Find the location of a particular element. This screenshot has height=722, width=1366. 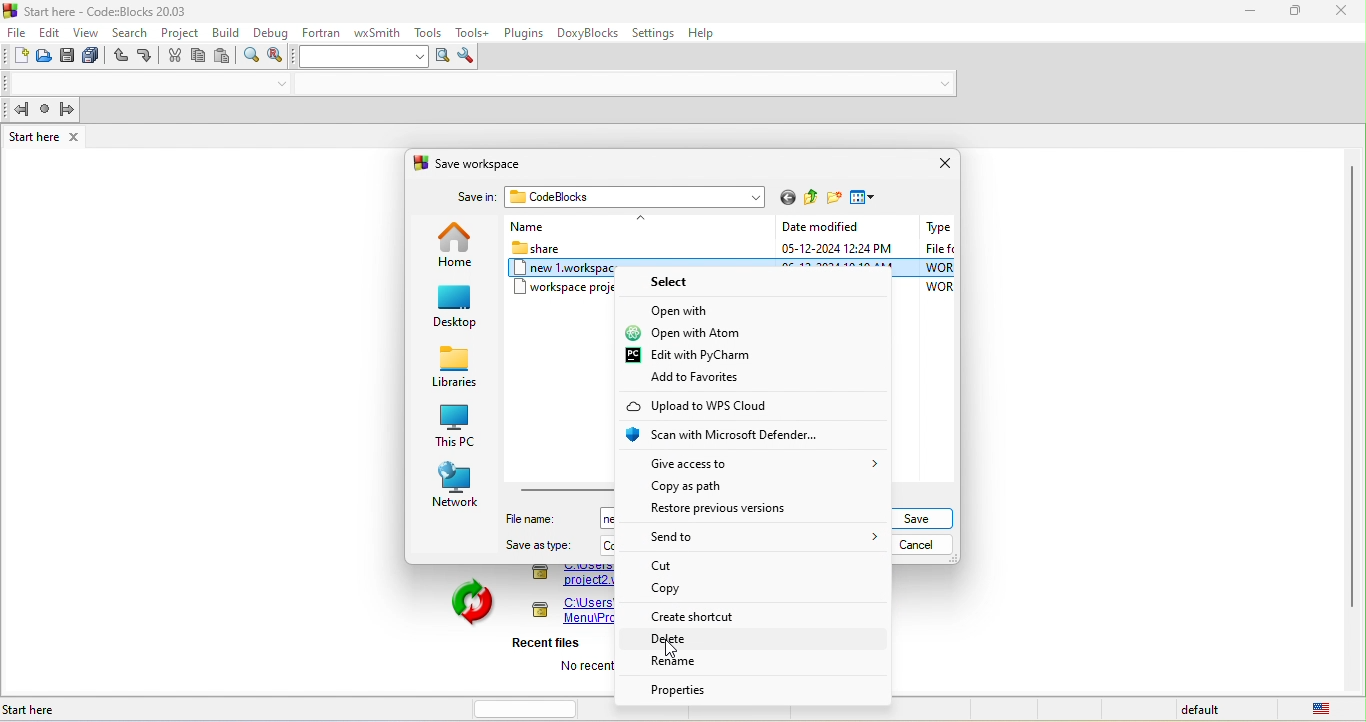

send to is located at coordinates (762, 540).